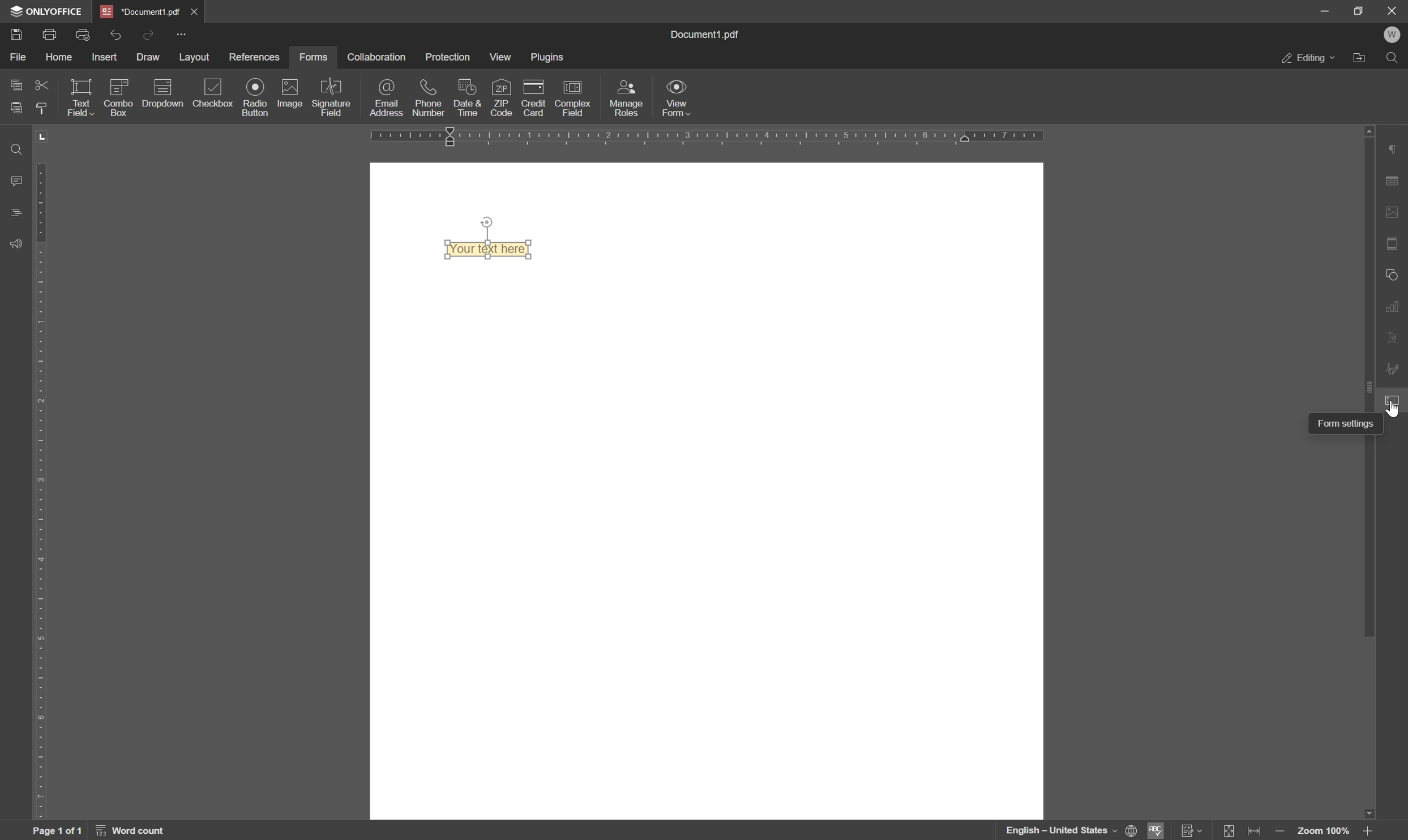 Image resolution: width=1408 pixels, height=840 pixels. I want to click on manage roles, so click(628, 97).